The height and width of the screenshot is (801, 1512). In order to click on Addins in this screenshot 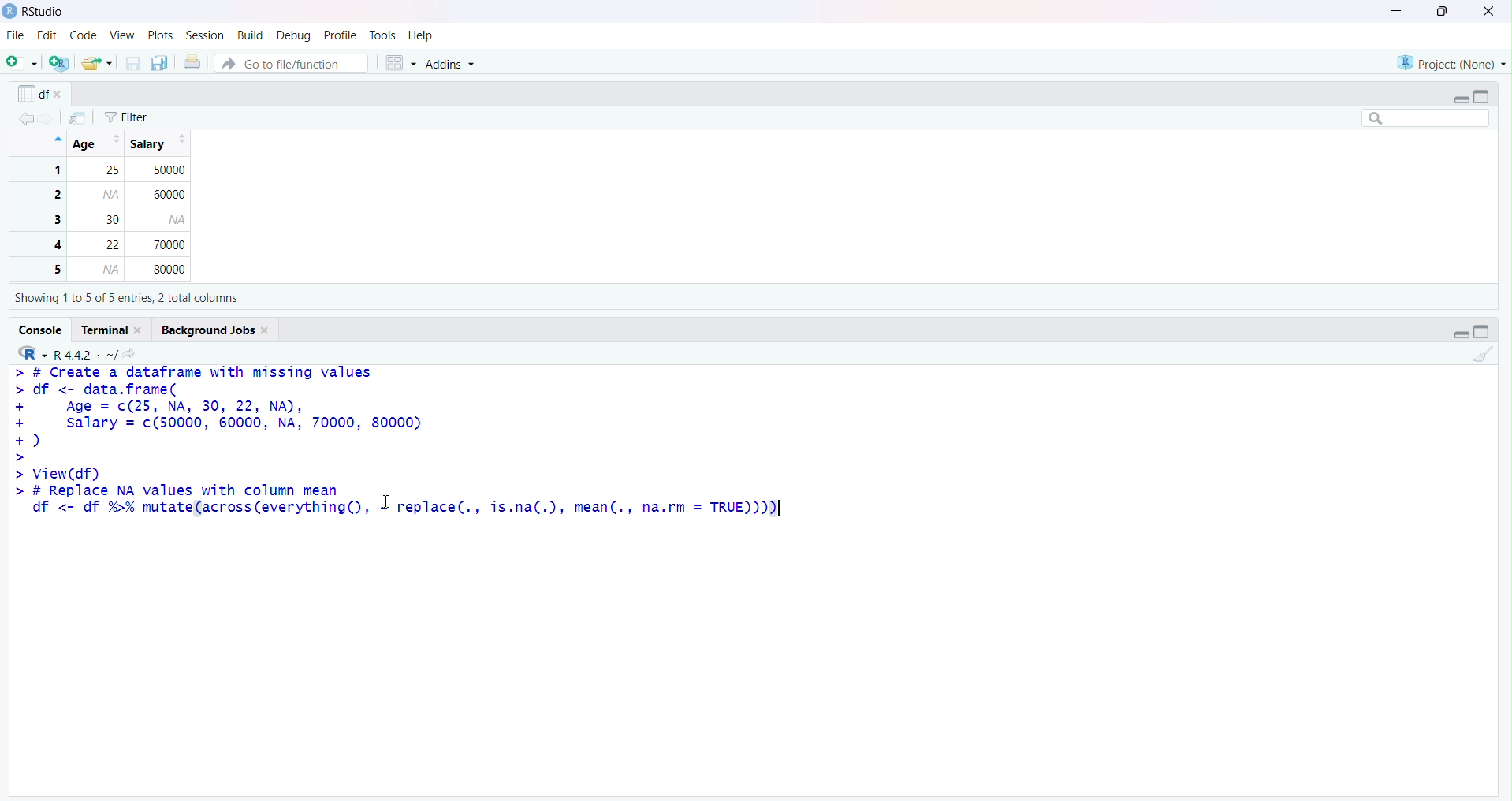, I will do `click(450, 61)`.